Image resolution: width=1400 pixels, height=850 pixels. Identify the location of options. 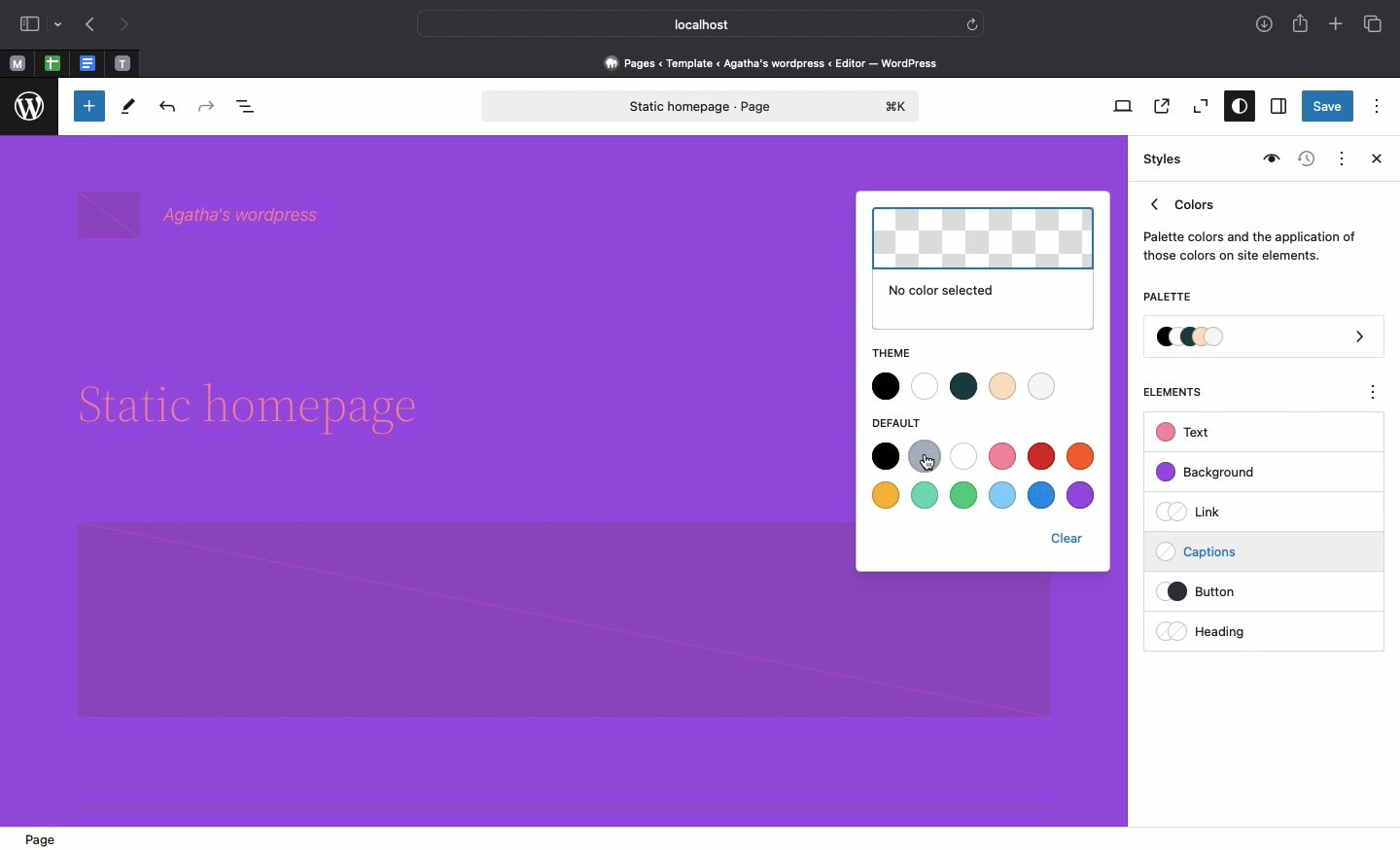
(1374, 395).